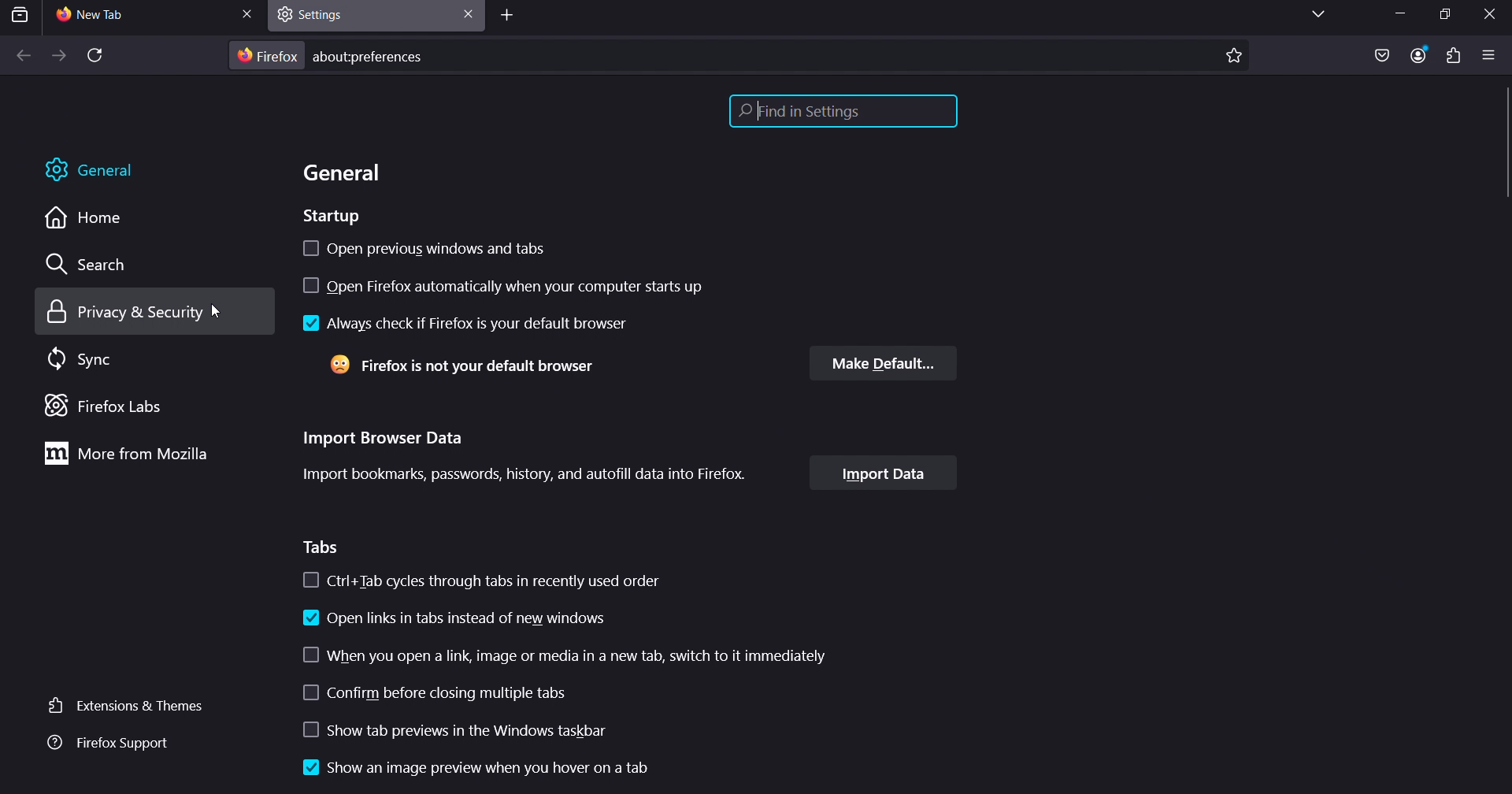 Image resolution: width=1512 pixels, height=794 pixels. I want to click on sync, so click(83, 360).